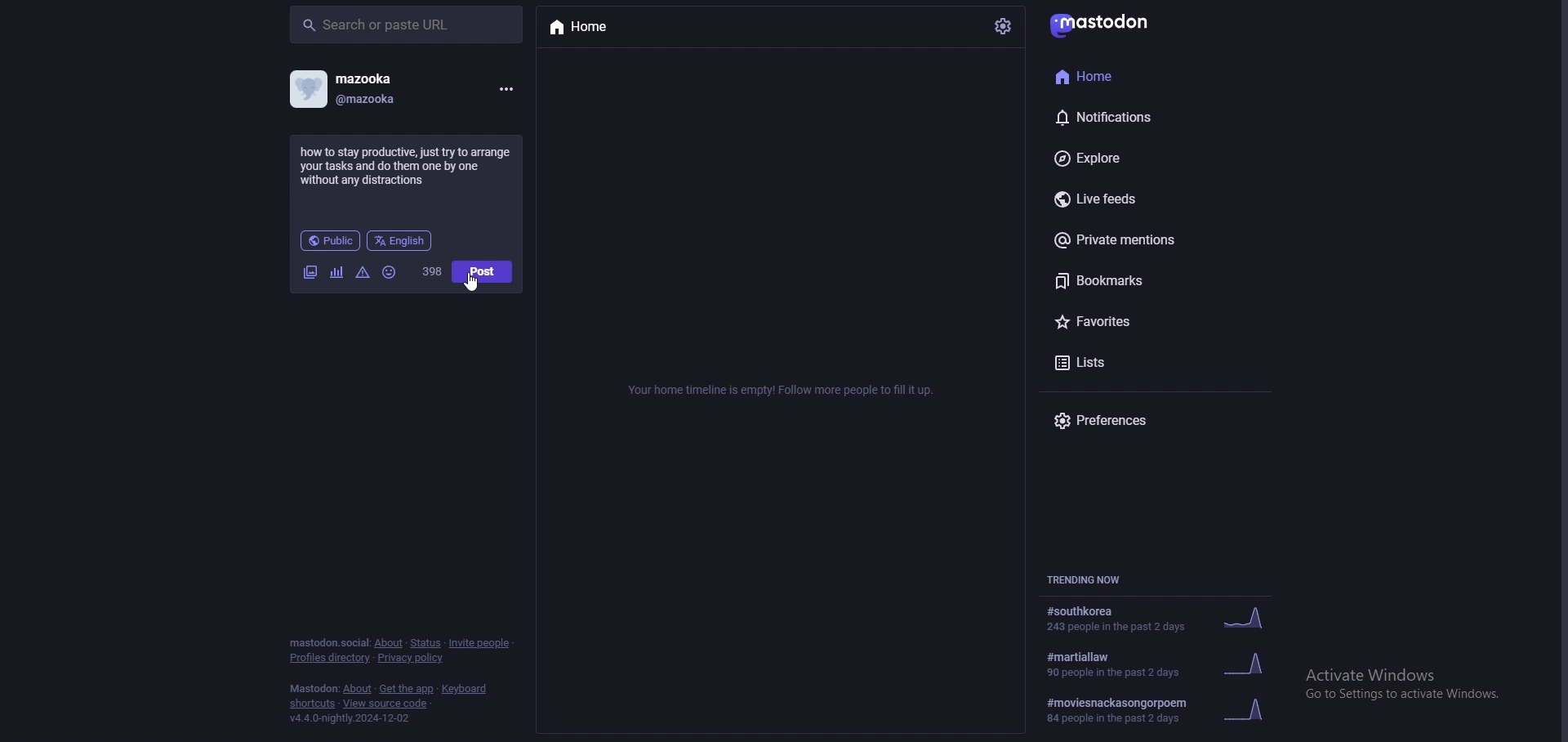 The image size is (1568, 742). I want to click on @mazooka, so click(376, 100).